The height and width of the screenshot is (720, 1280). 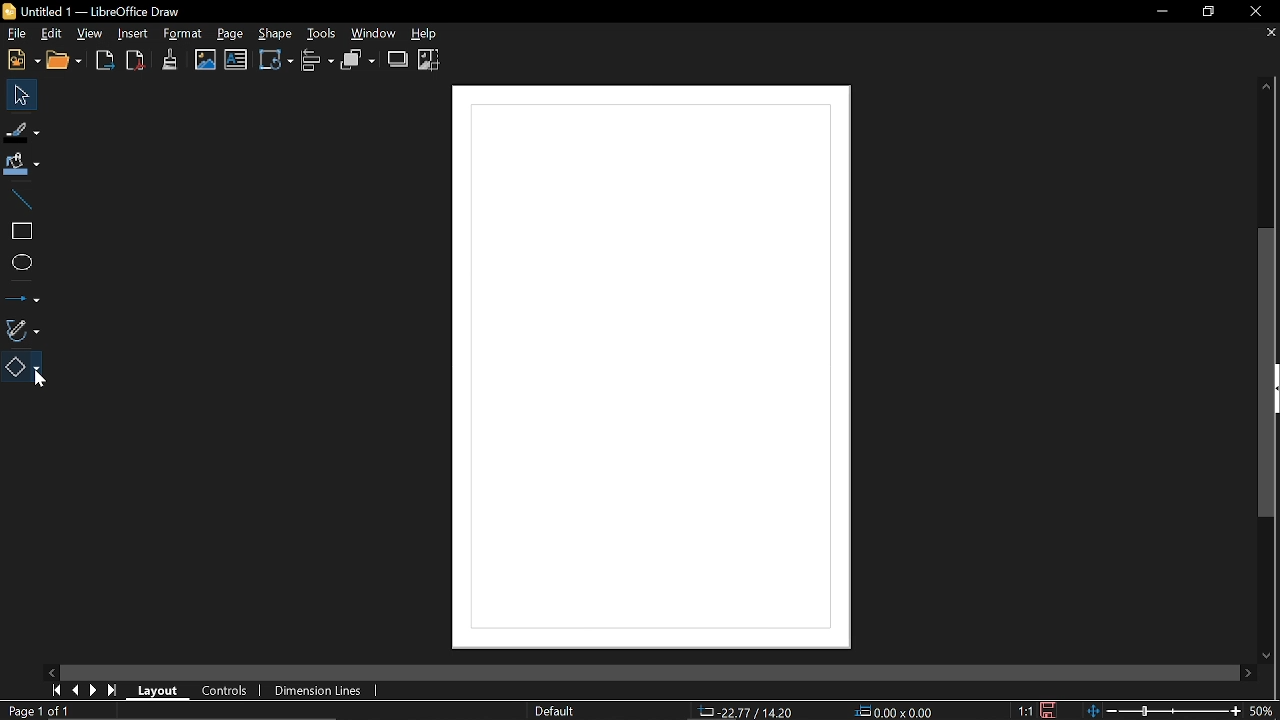 What do you see at coordinates (22, 165) in the screenshot?
I see `Fill color` at bounding box center [22, 165].